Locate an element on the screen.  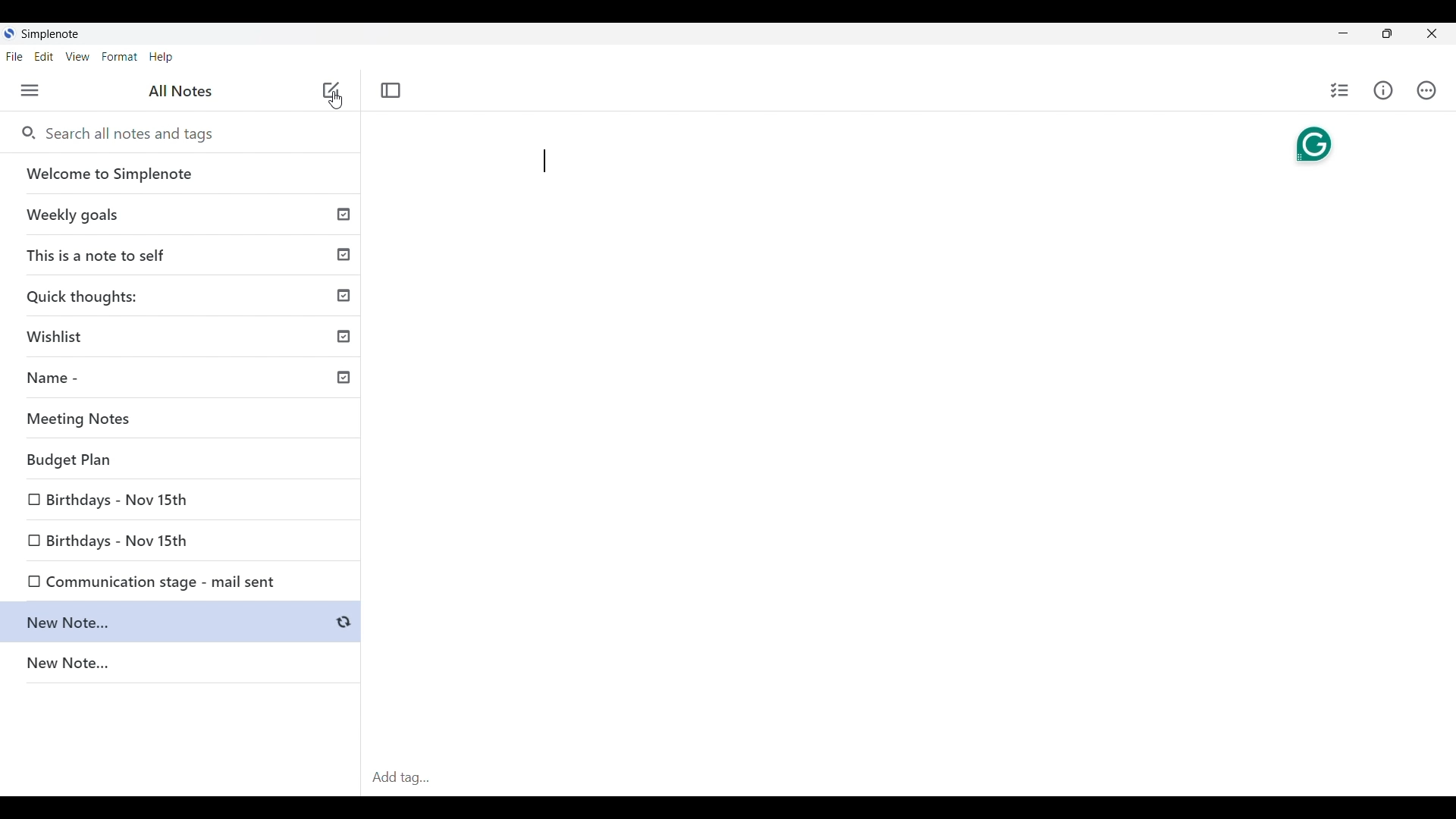
 Birthdays - Nov 15th is located at coordinates (182, 496).